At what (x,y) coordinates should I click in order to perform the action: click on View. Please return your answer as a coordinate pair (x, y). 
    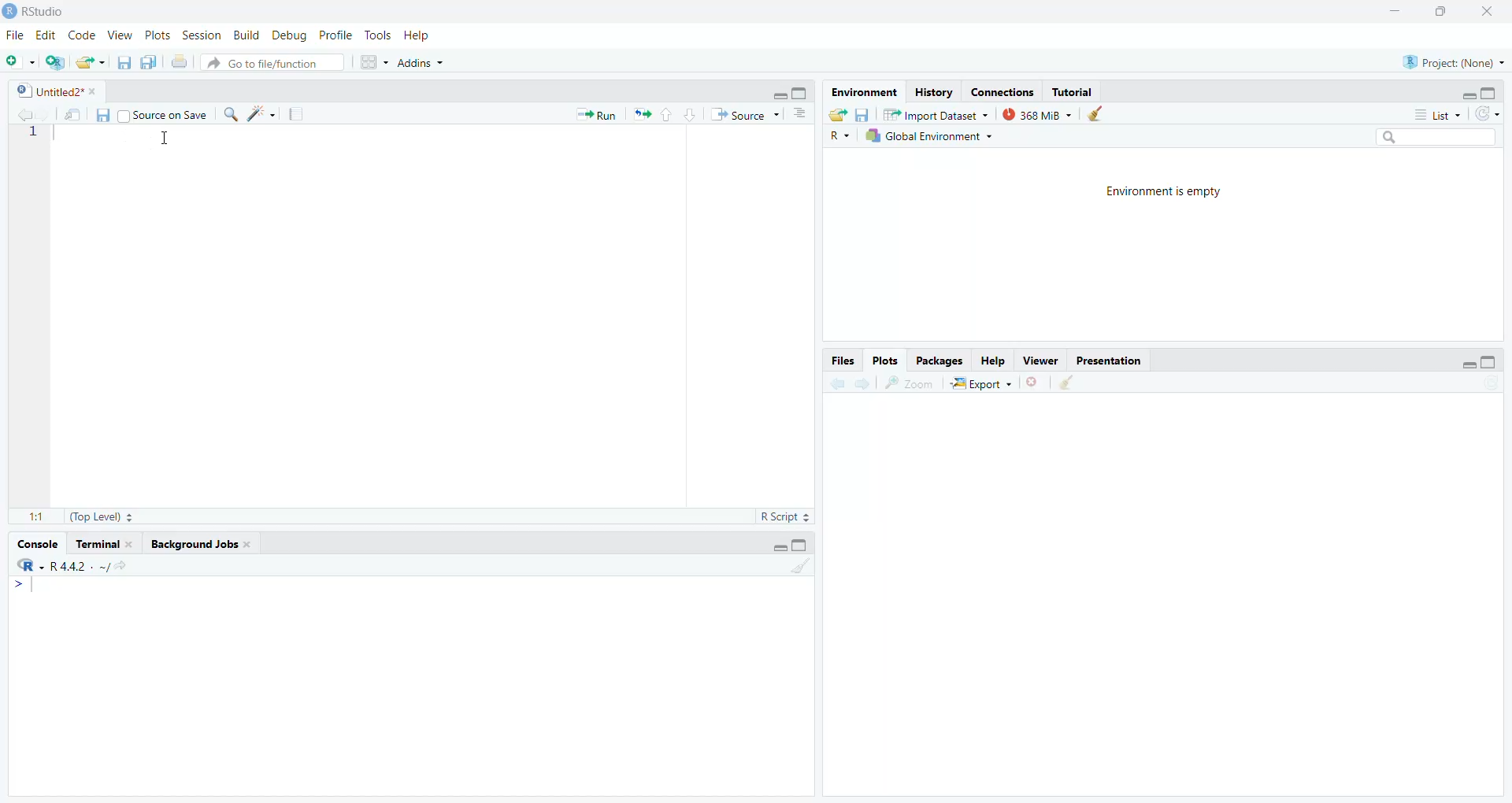
    Looking at the image, I should click on (122, 35).